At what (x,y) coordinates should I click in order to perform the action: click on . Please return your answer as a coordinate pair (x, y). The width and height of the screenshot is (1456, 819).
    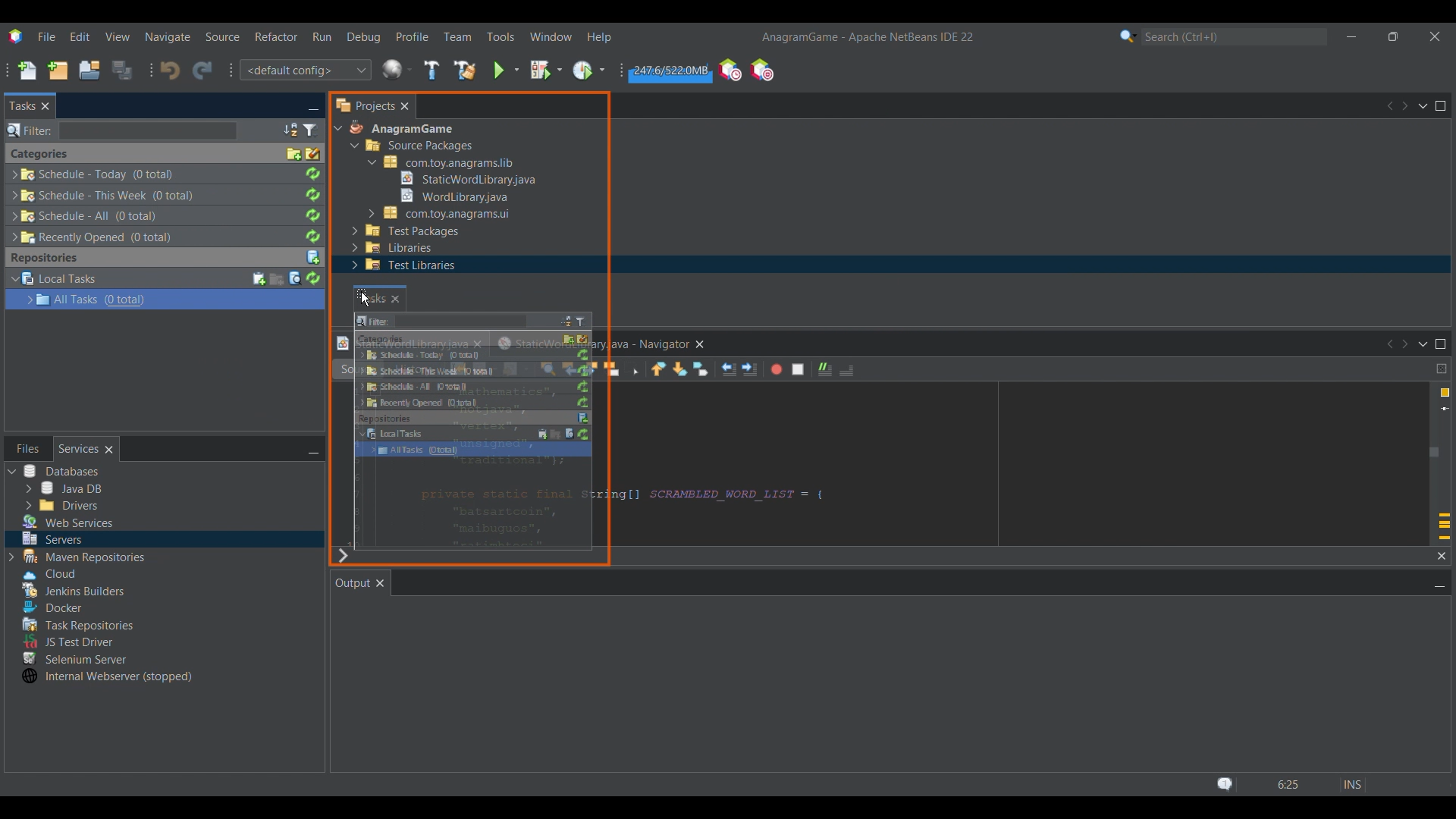
    Looking at the image, I should click on (52, 538).